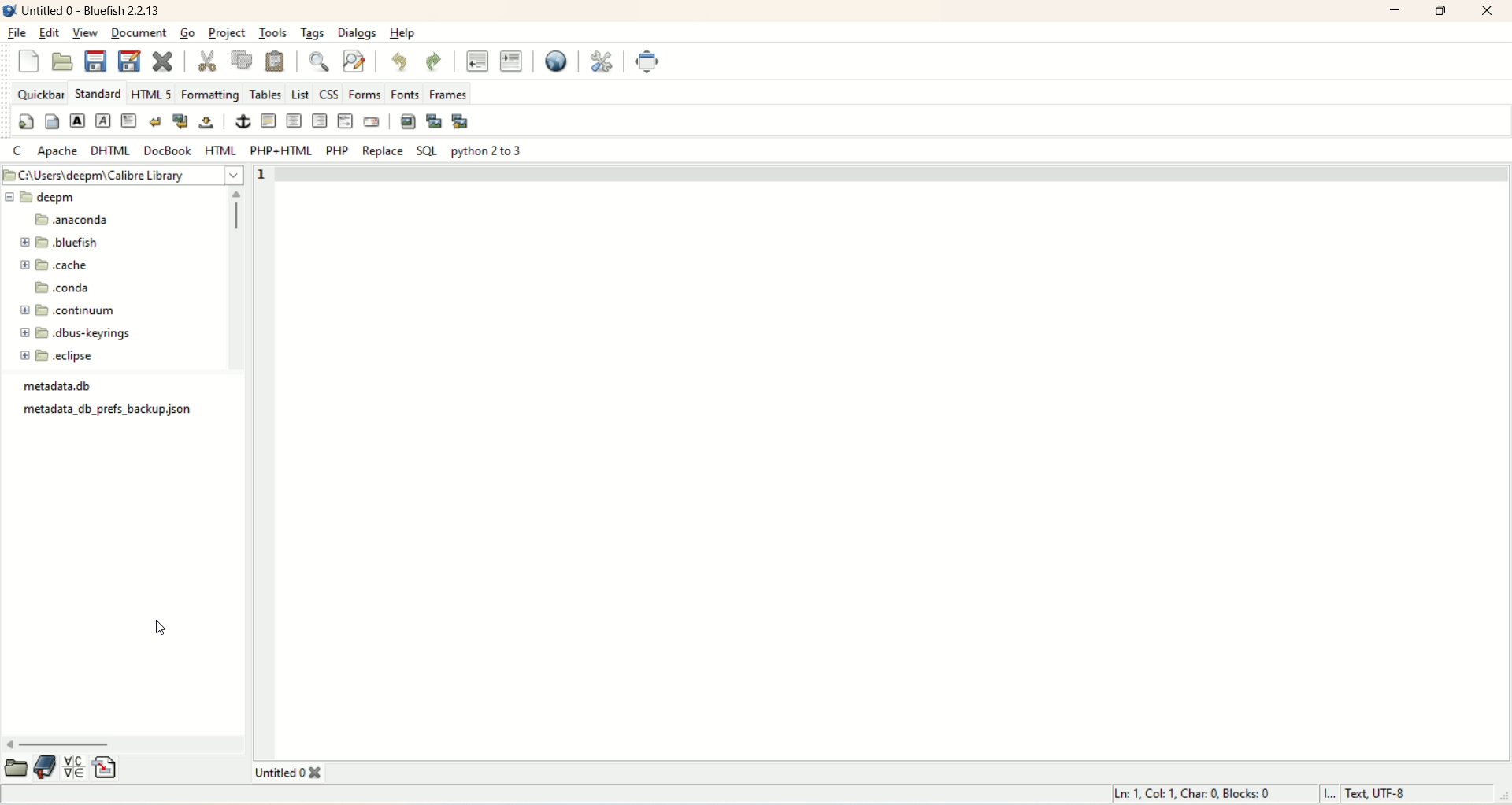 Image resolution: width=1512 pixels, height=805 pixels. Describe the element at coordinates (319, 120) in the screenshot. I see `right justify` at that location.